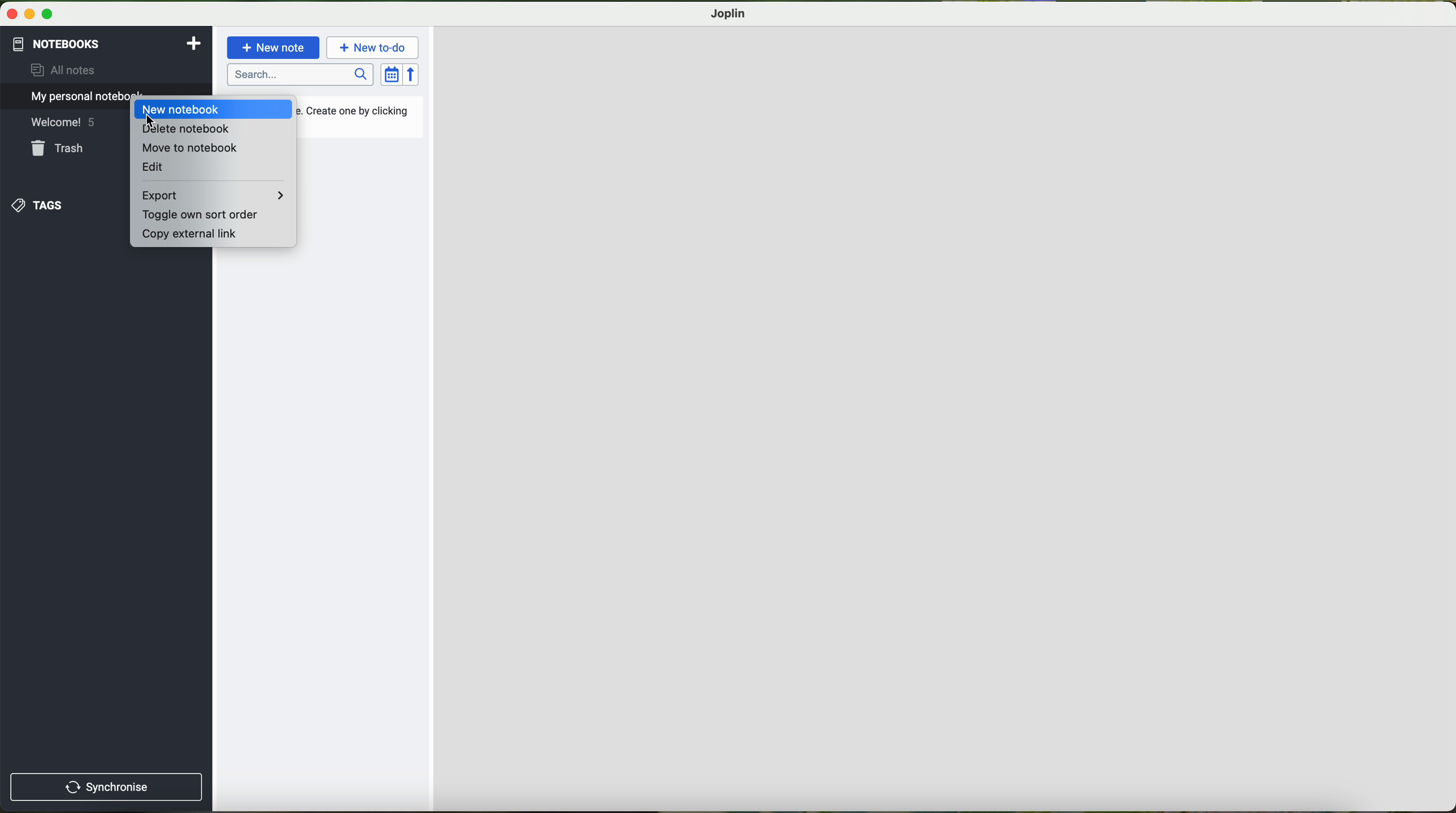 This screenshot has width=1456, height=813. What do you see at coordinates (185, 129) in the screenshot?
I see `delete notebook` at bounding box center [185, 129].